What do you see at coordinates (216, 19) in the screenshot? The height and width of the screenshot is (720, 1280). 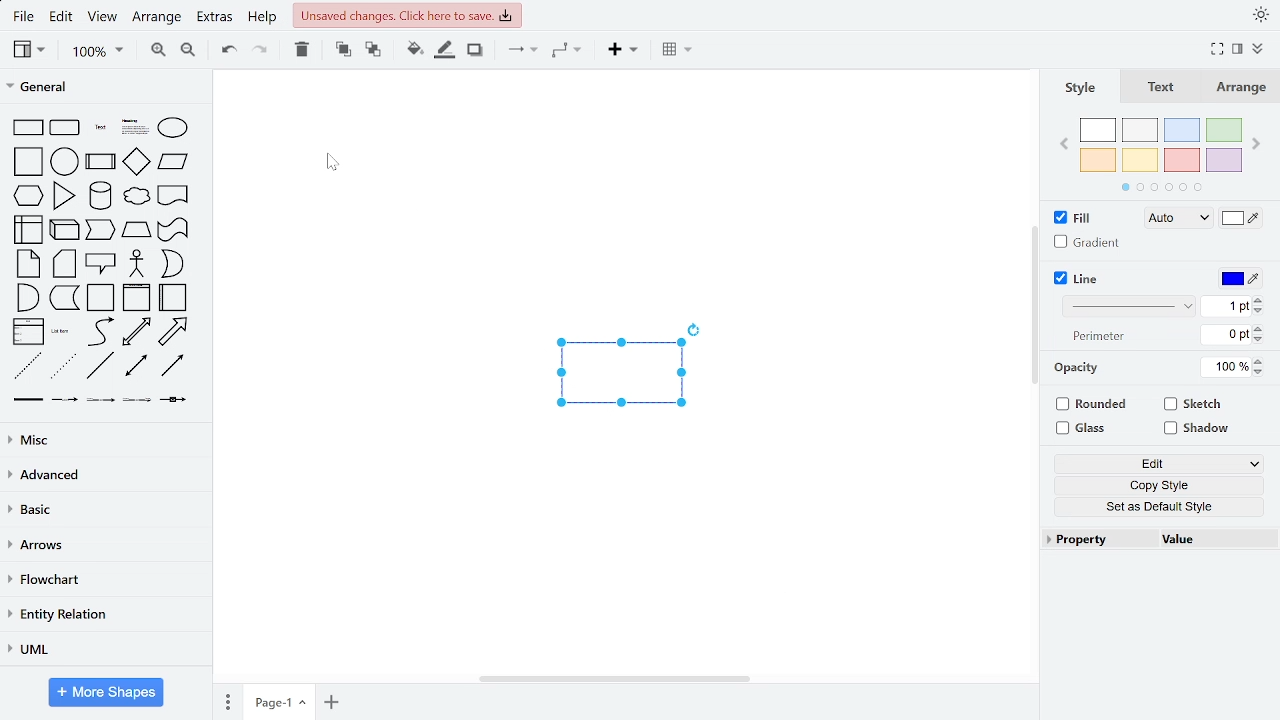 I see `extras` at bounding box center [216, 19].